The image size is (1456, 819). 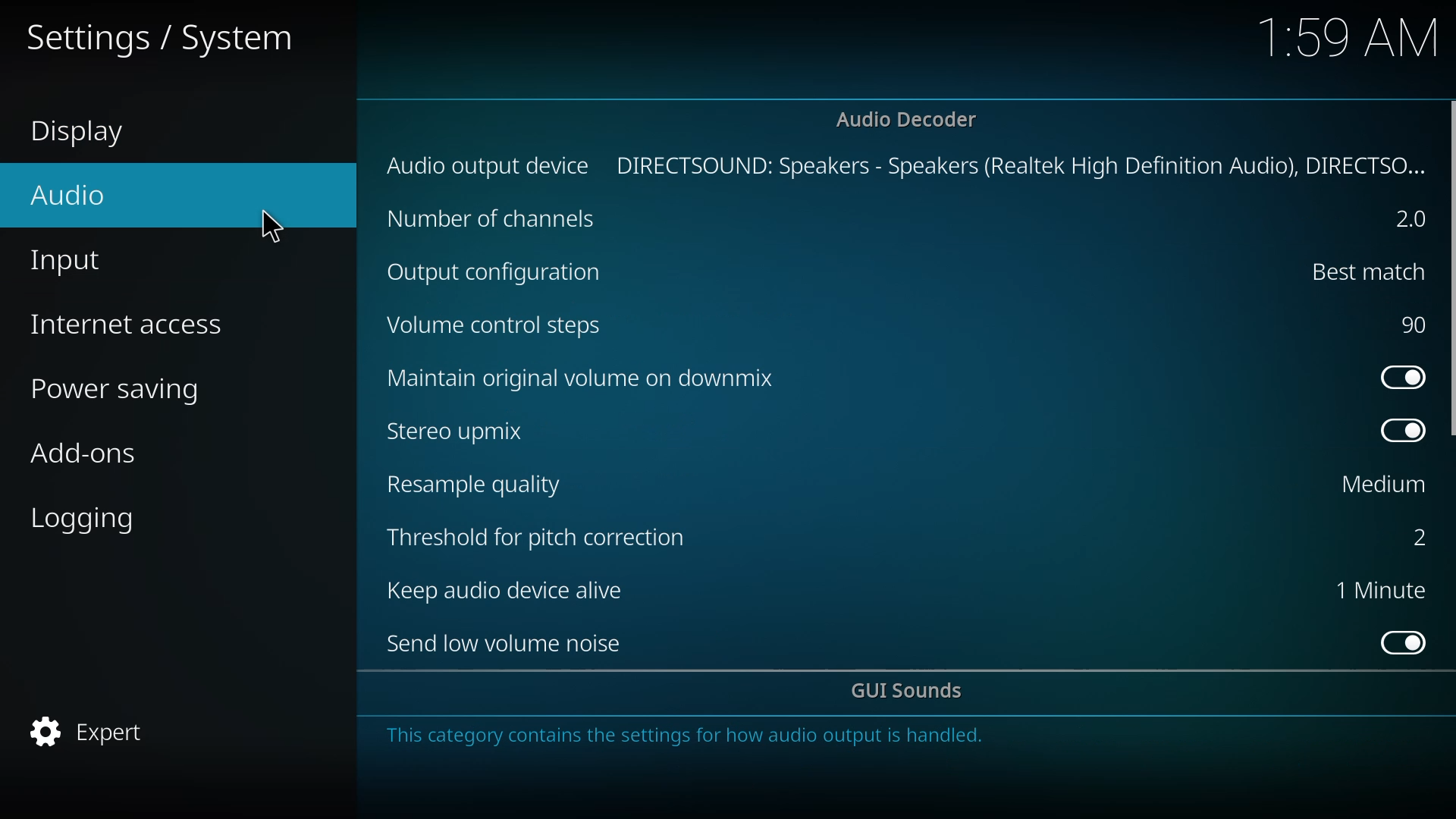 I want to click on audio decoder, so click(x=907, y=119).